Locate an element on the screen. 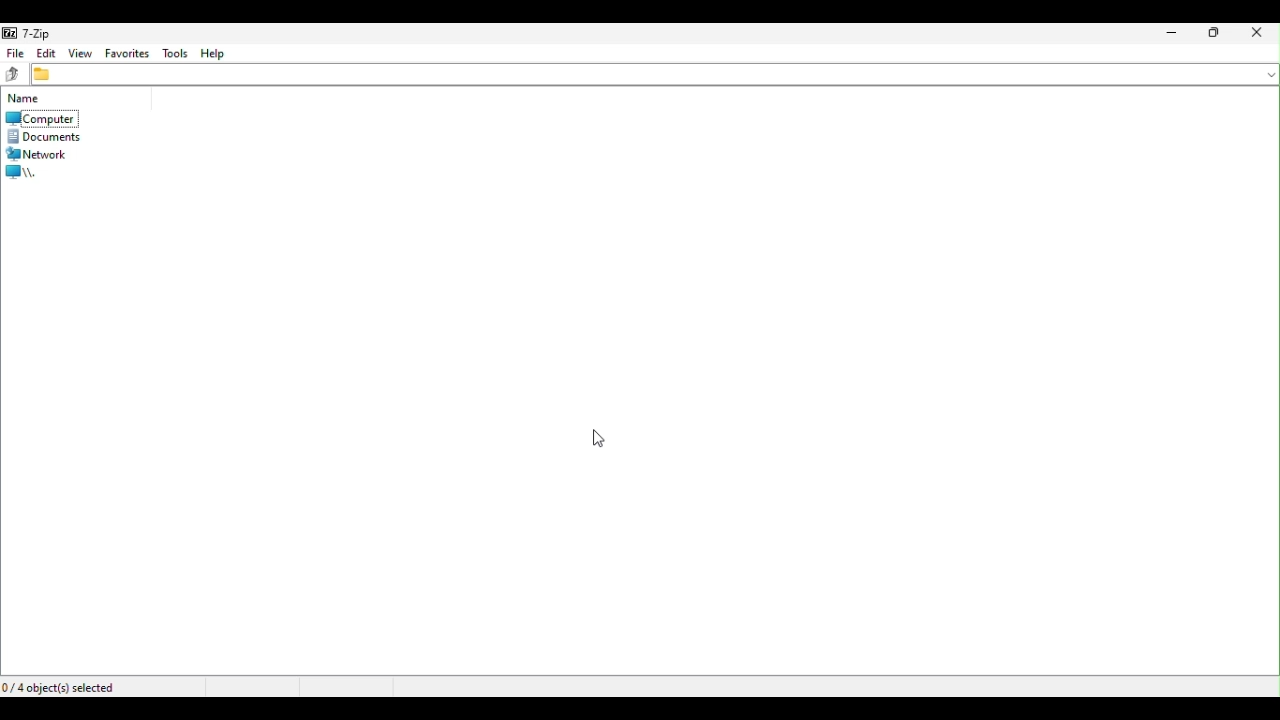 The width and height of the screenshot is (1280, 720). View is located at coordinates (83, 54).